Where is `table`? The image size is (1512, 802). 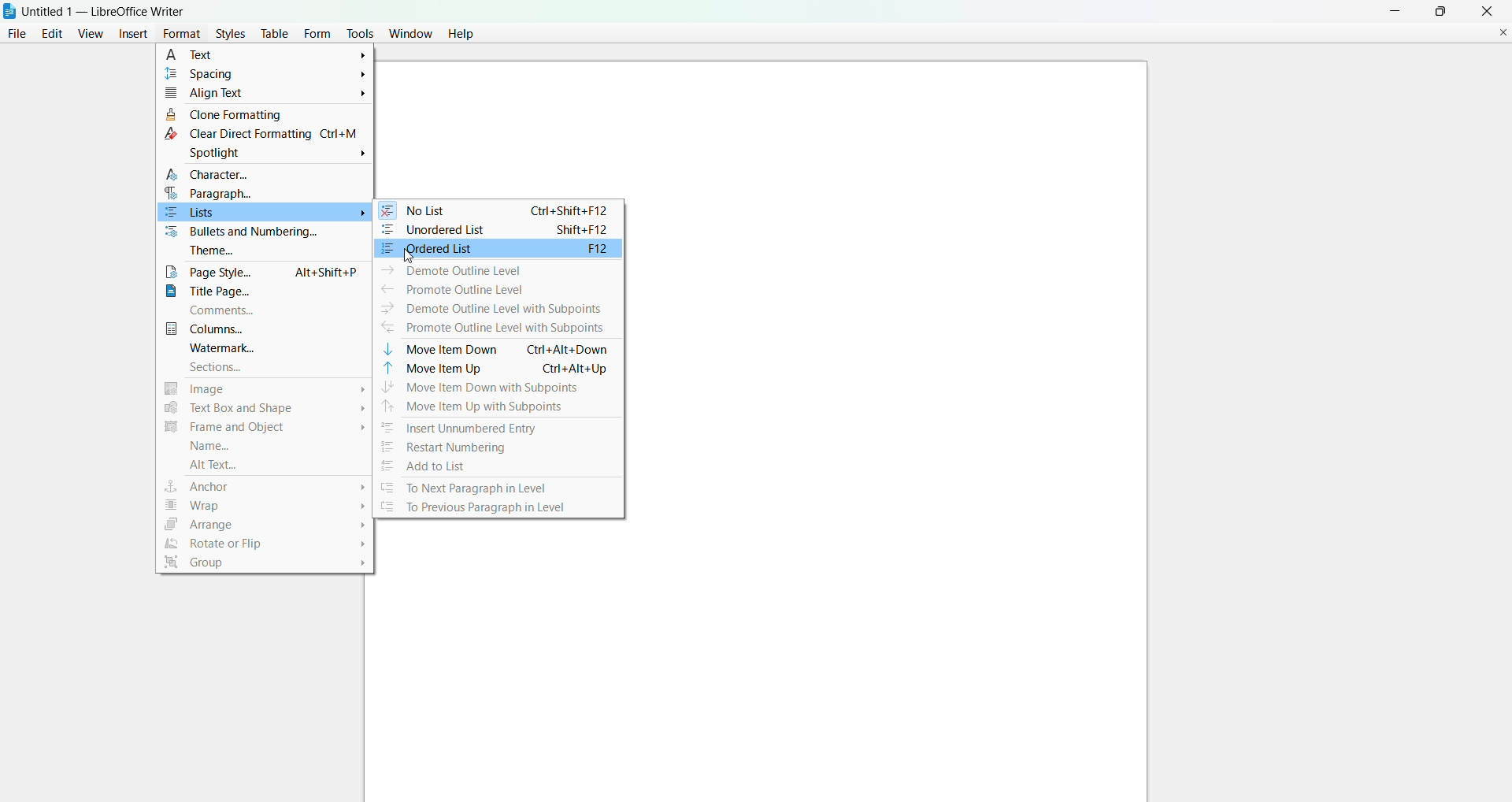
table is located at coordinates (276, 24).